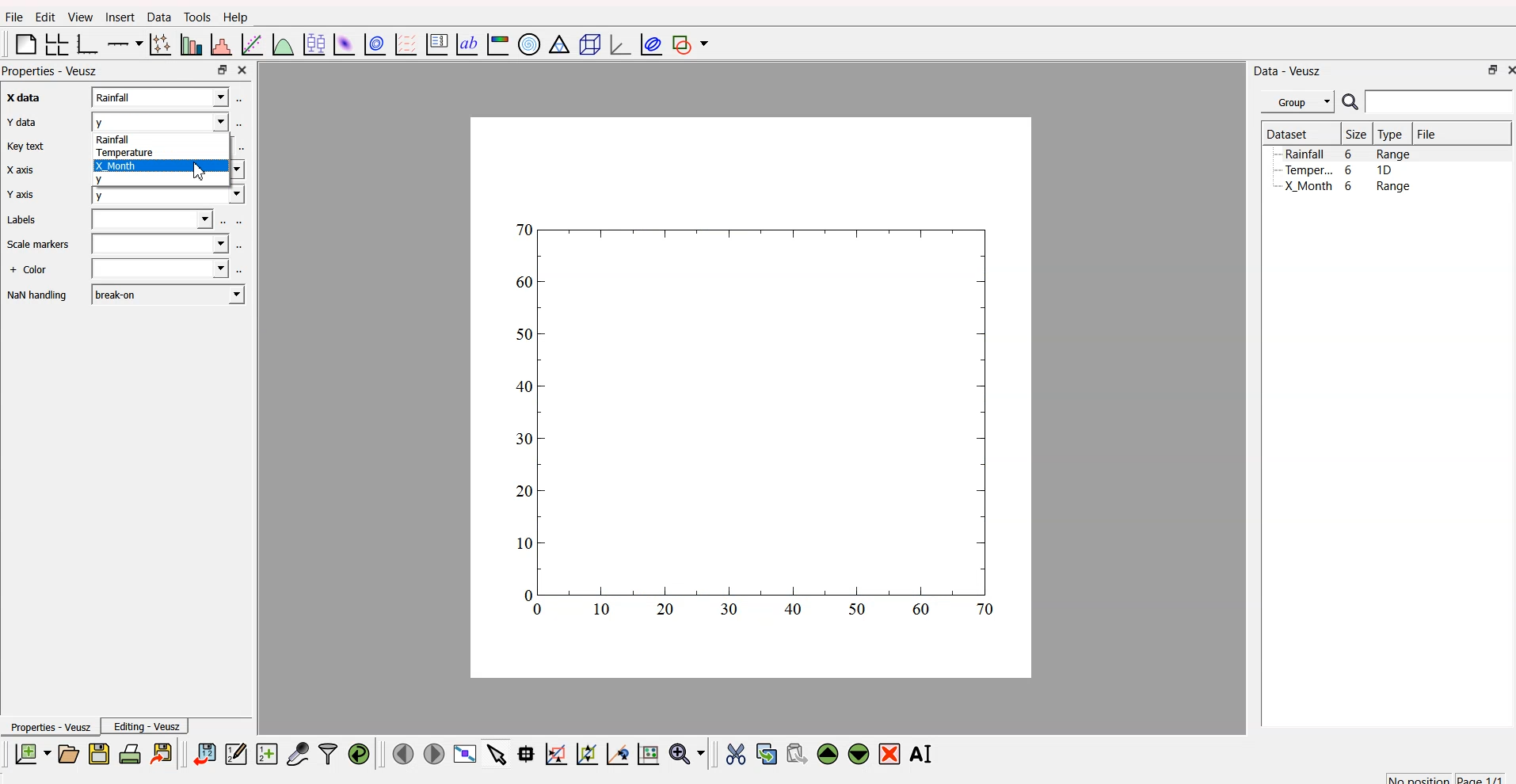  What do you see at coordinates (497, 44) in the screenshot?
I see `image color bar ` at bounding box center [497, 44].